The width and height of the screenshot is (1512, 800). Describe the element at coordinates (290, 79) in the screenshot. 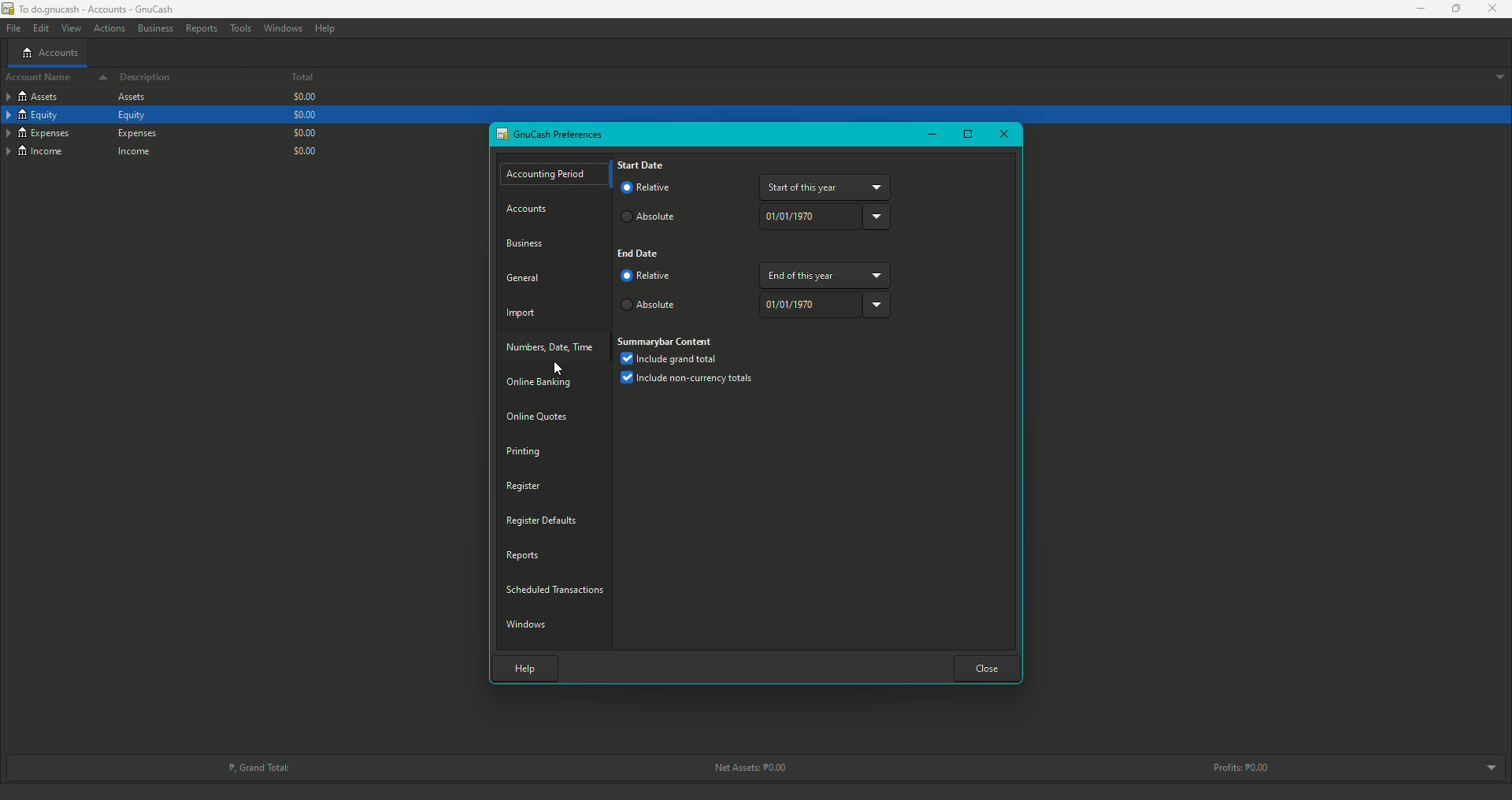

I see `Total` at that location.